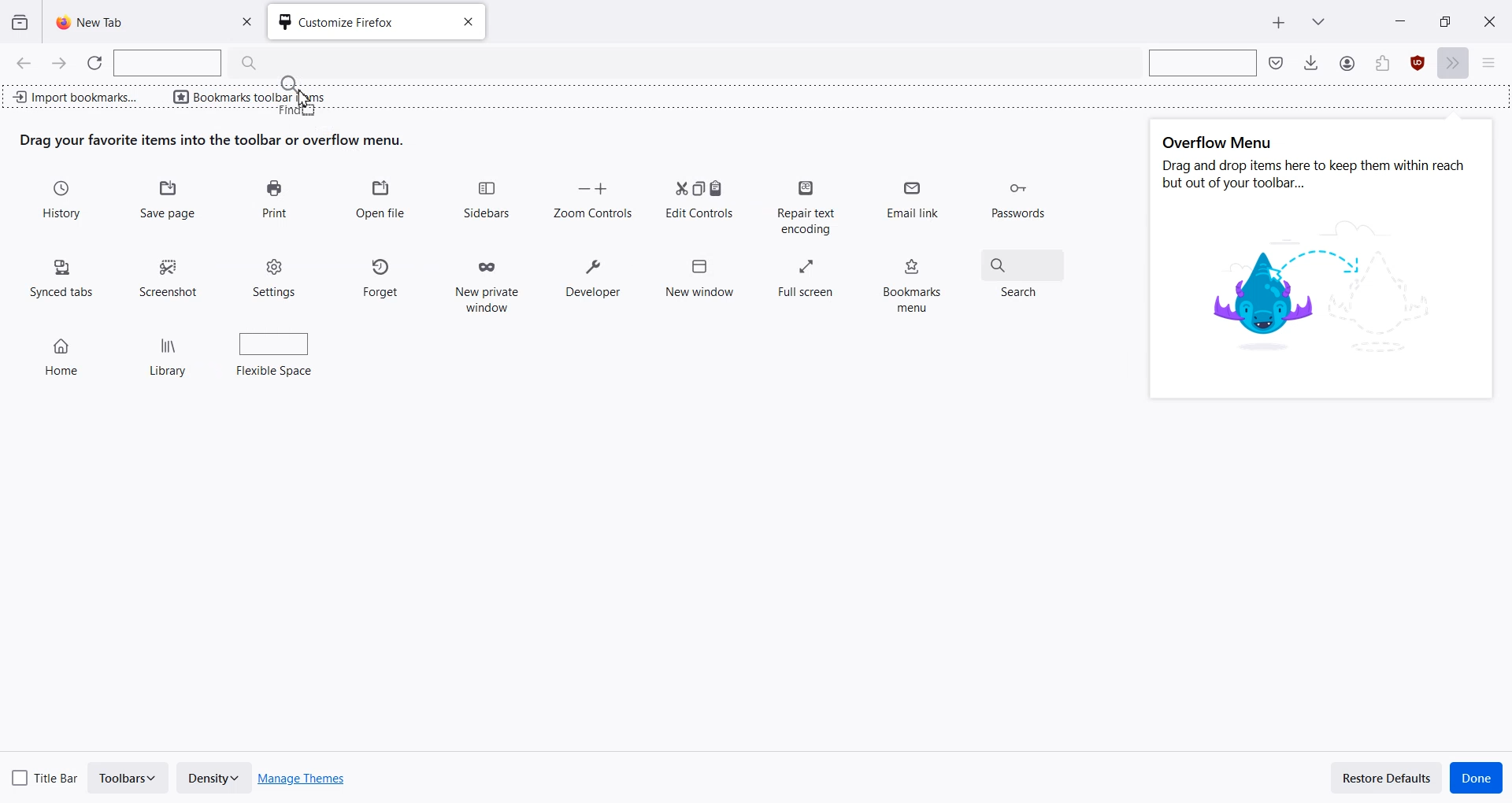 Image resolution: width=1512 pixels, height=803 pixels. What do you see at coordinates (1322, 287) in the screenshot?
I see `image` at bounding box center [1322, 287].